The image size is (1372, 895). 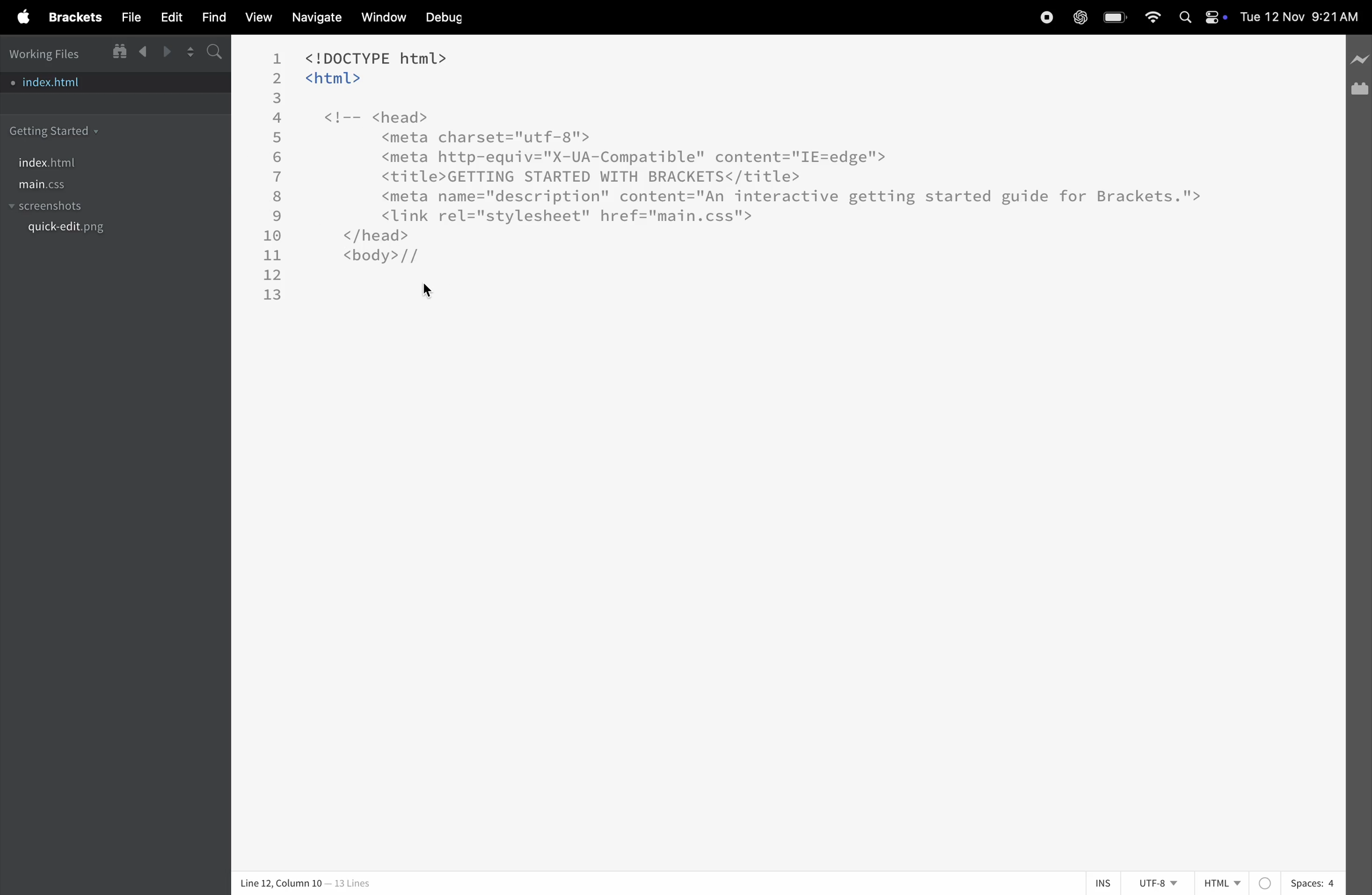 What do you see at coordinates (144, 52) in the screenshot?
I see `backward` at bounding box center [144, 52].